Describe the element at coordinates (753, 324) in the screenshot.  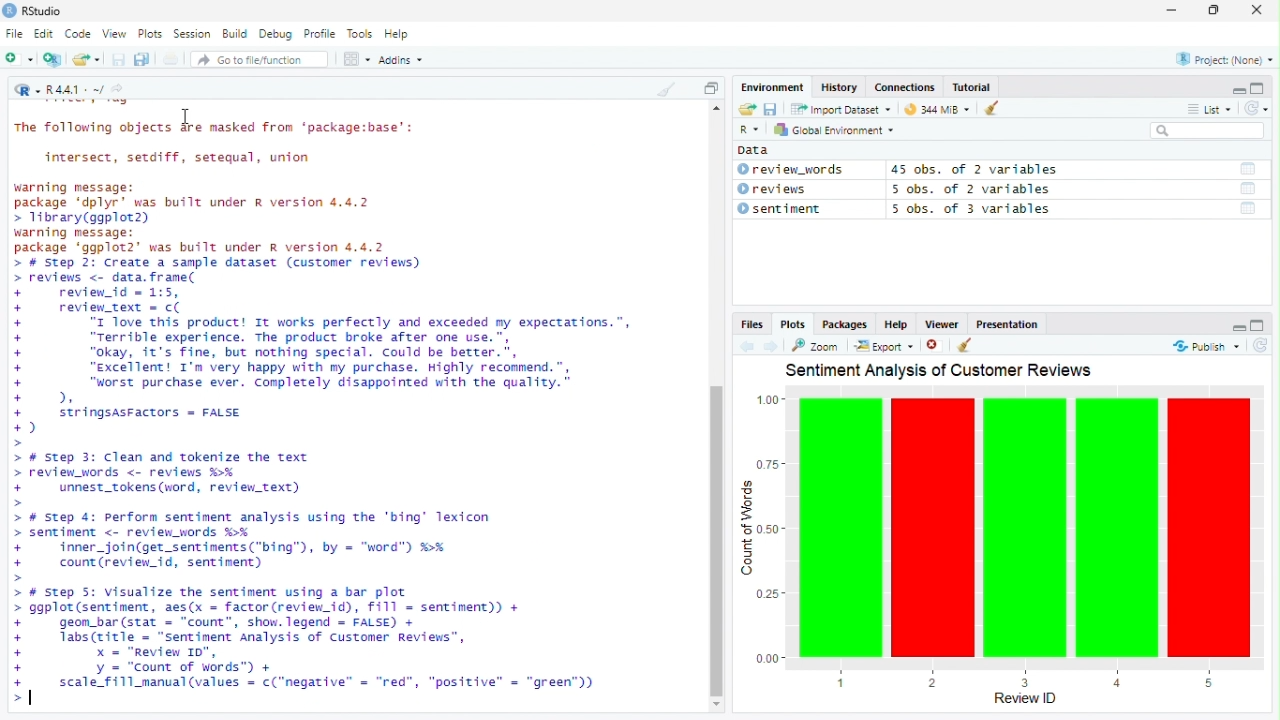
I see `Files` at that location.